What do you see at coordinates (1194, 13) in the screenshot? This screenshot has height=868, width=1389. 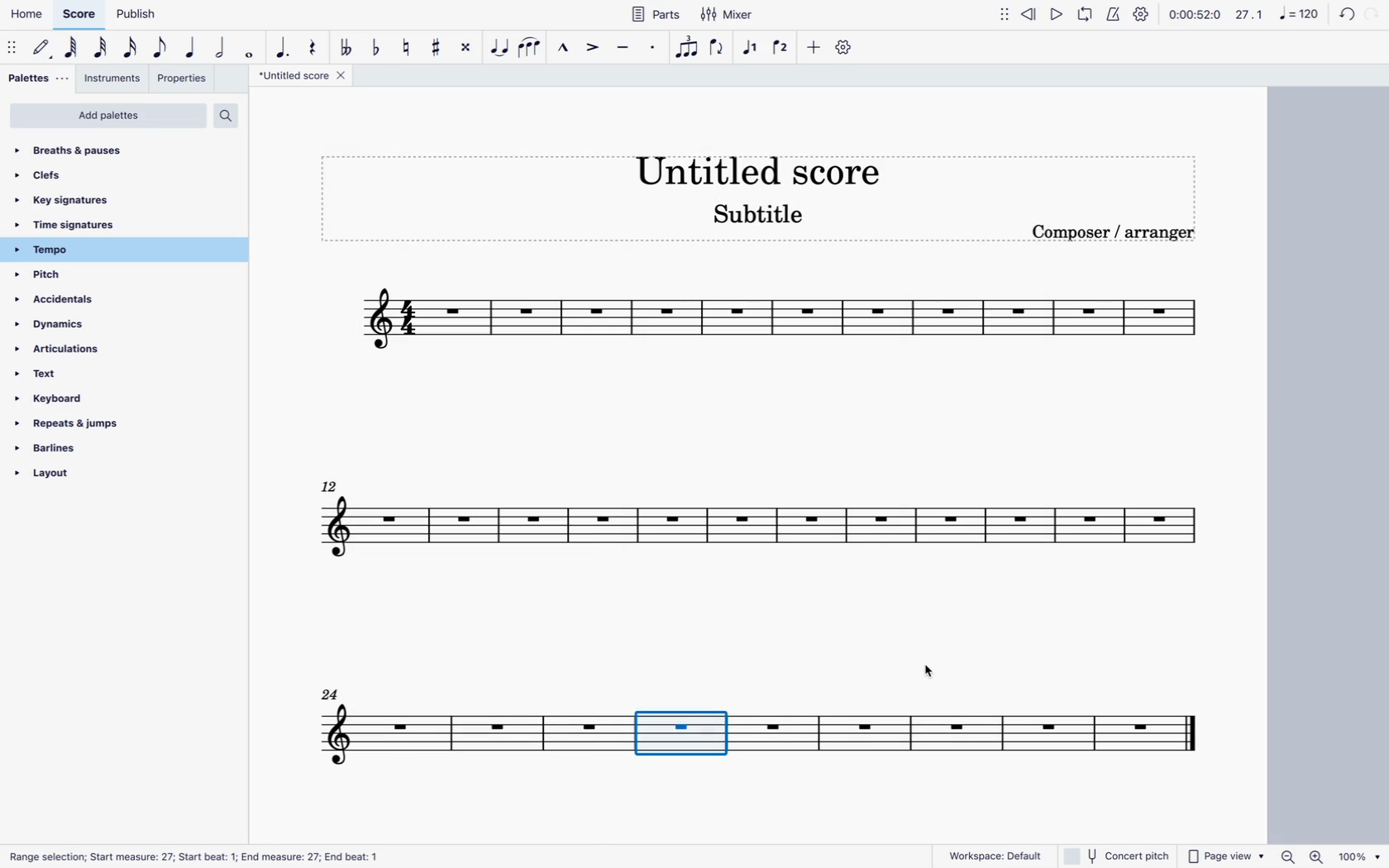 I see `time` at bounding box center [1194, 13].